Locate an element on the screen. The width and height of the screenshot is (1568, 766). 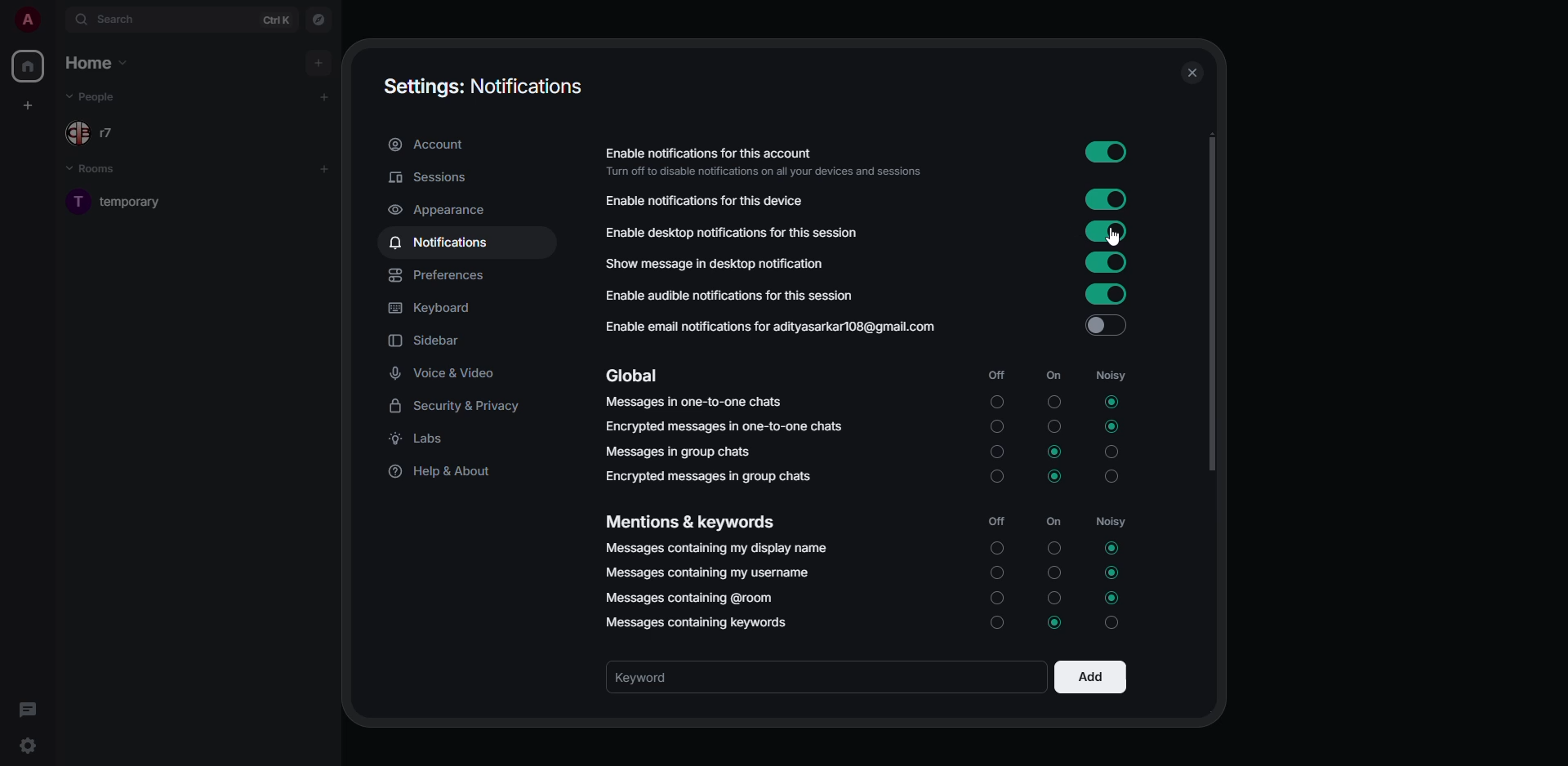
profile is located at coordinates (26, 19).